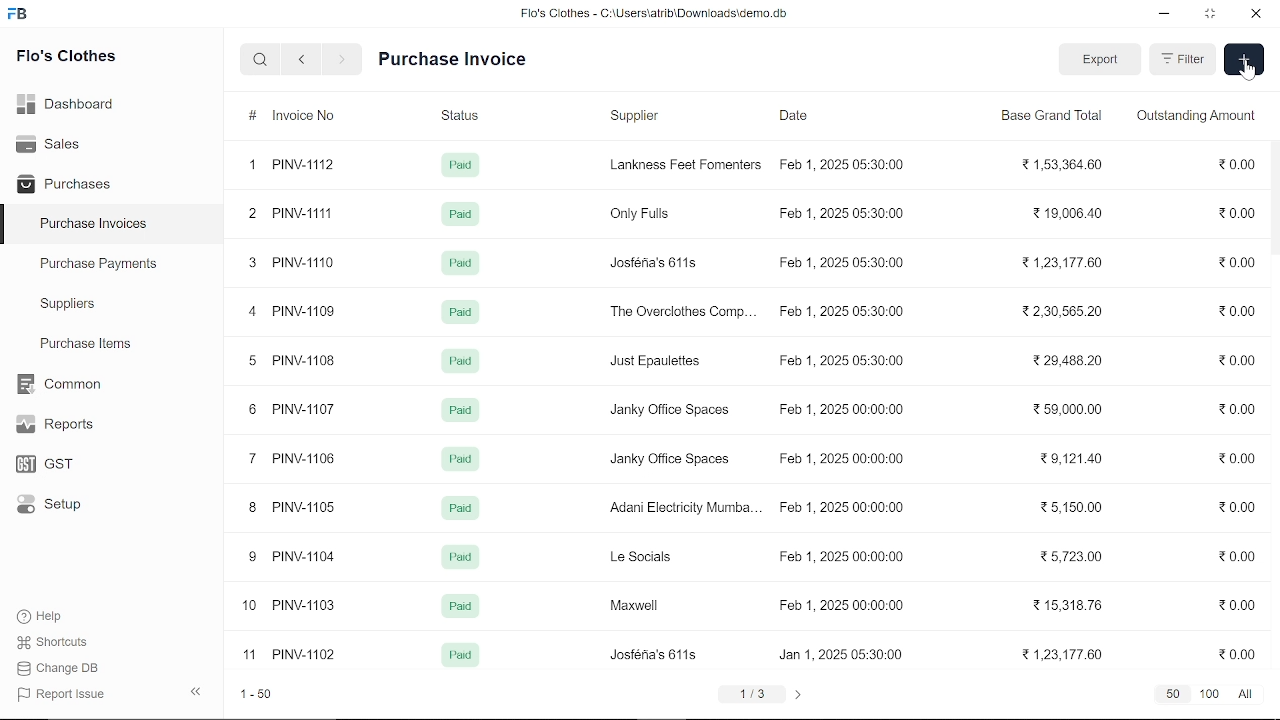 This screenshot has height=720, width=1280. What do you see at coordinates (112, 268) in the screenshot?
I see `Purchase Payments` at bounding box center [112, 268].